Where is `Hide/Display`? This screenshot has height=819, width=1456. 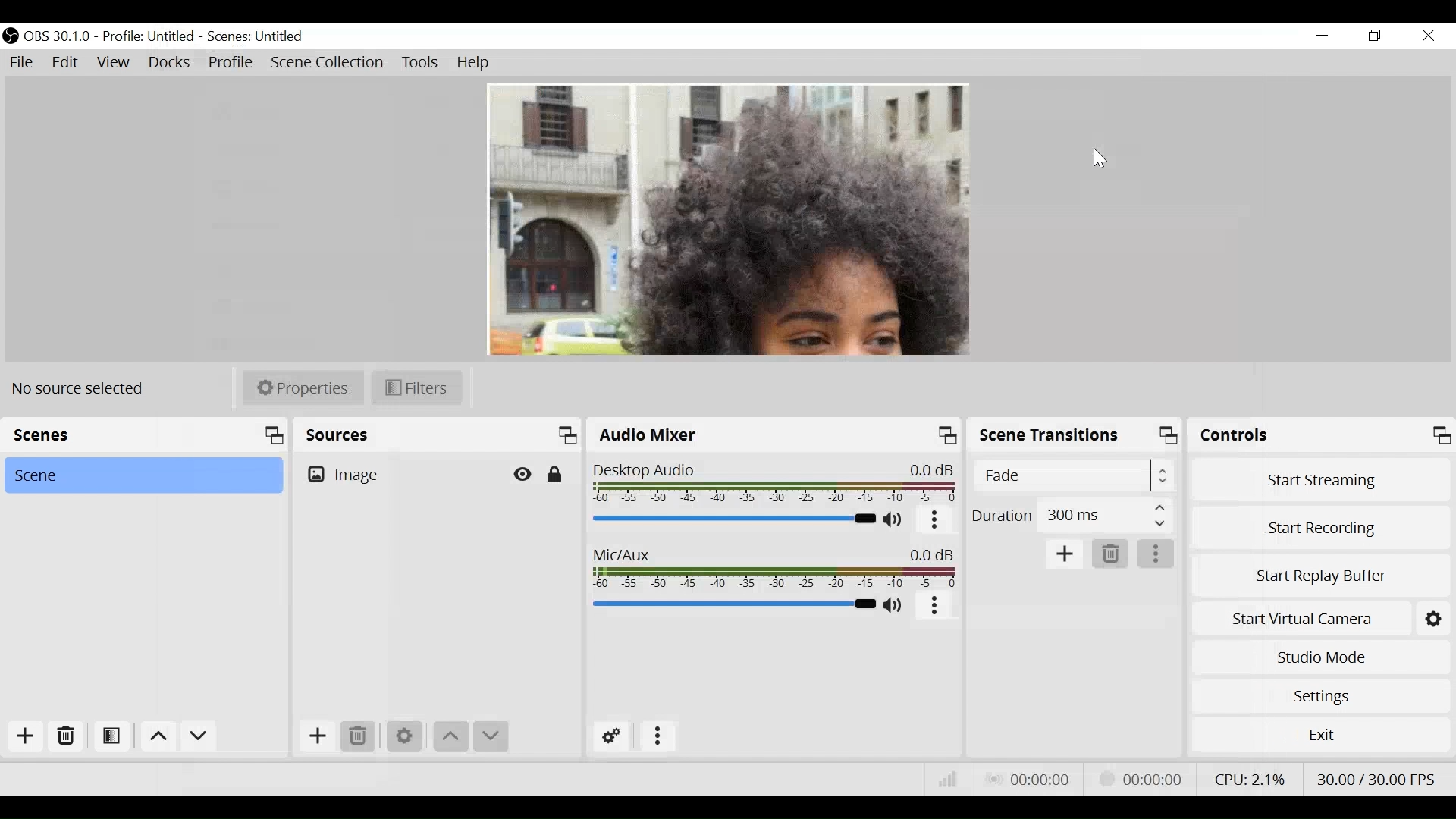
Hide/Display is located at coordinates (522, 474).